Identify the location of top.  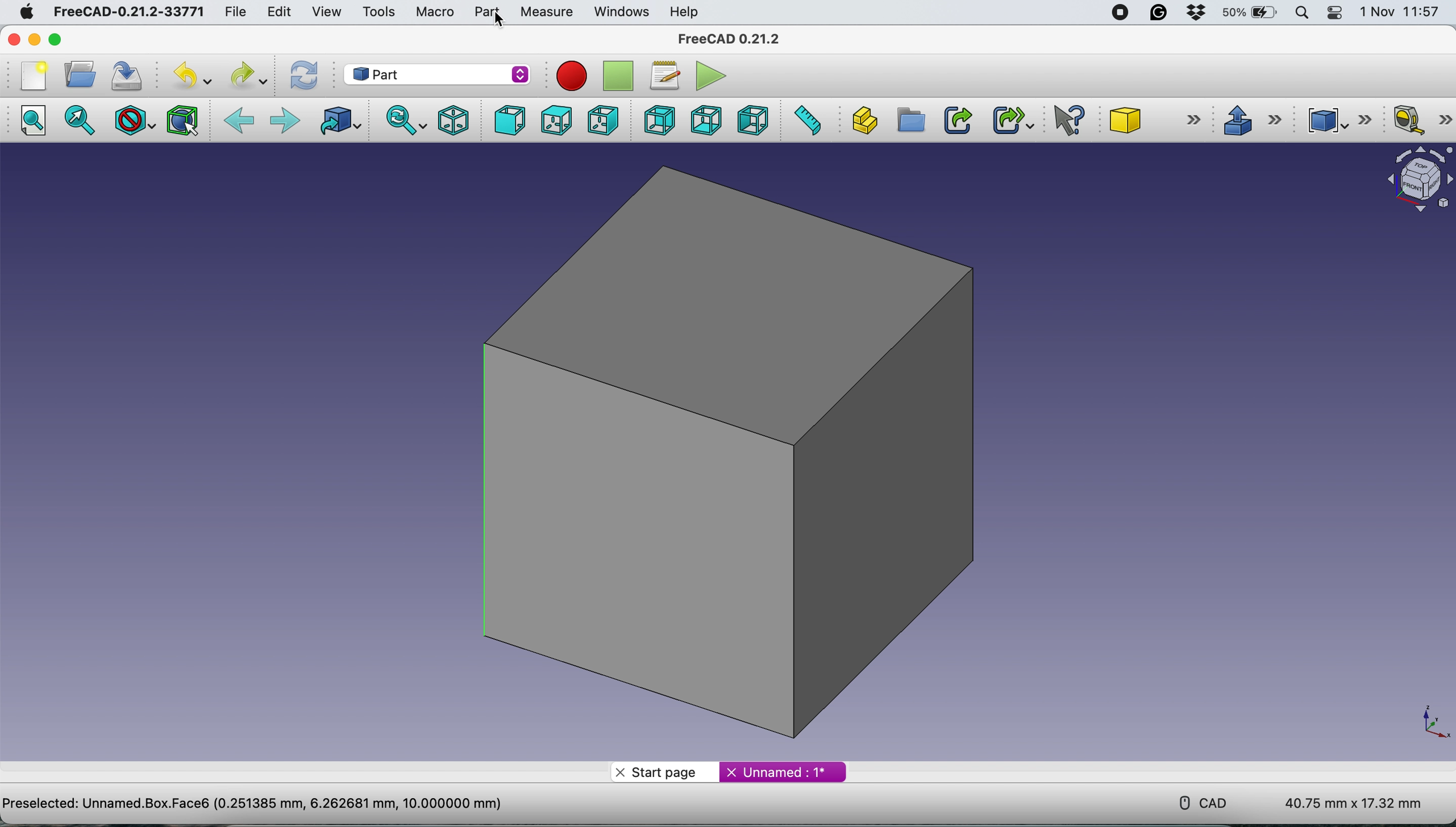
(555, 120).